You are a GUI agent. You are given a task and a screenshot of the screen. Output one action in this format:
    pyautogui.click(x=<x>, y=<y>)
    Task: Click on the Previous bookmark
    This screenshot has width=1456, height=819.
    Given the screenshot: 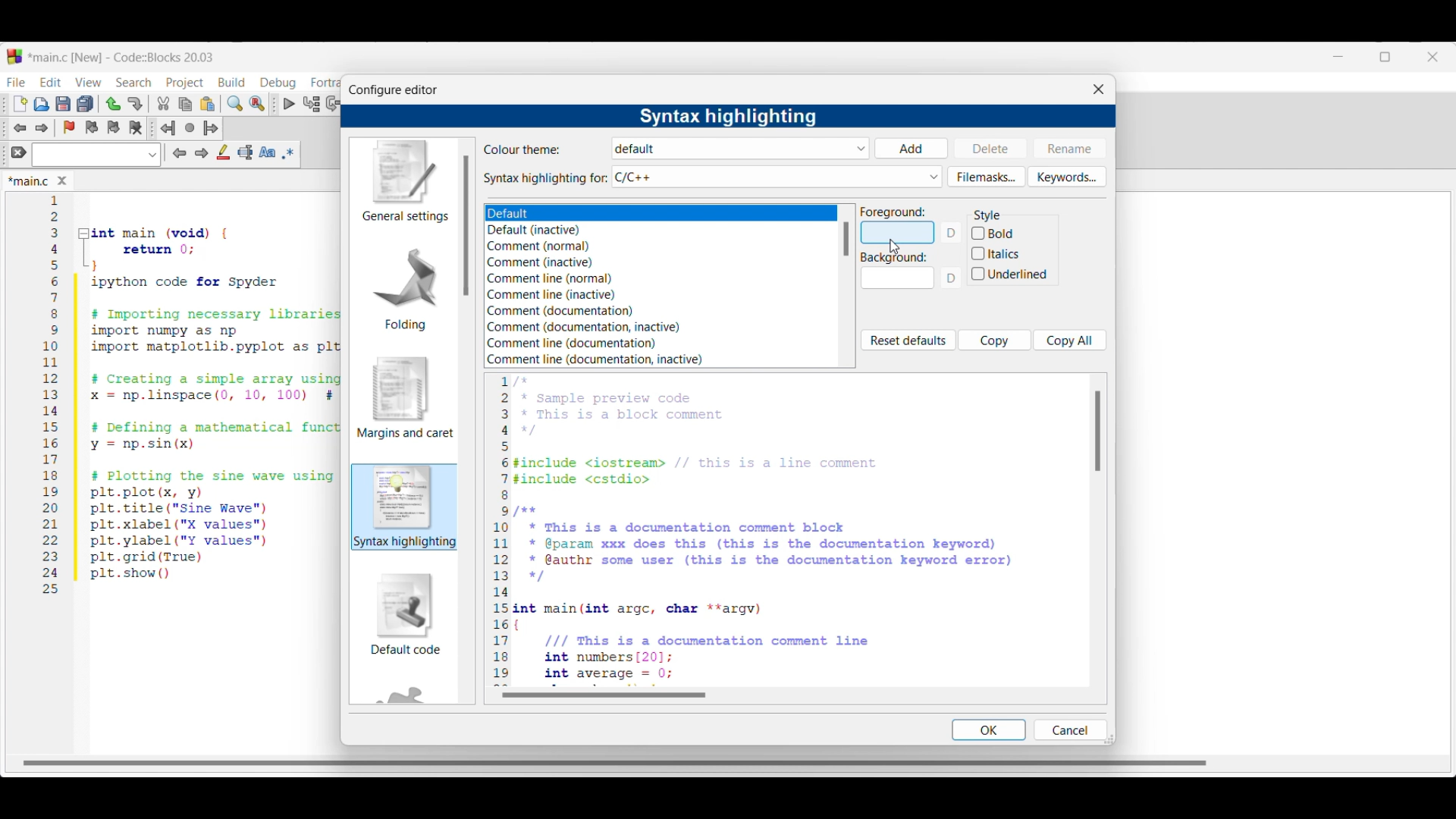 What is the action you would take?
    pyautogui.click(x=91, y=127)
    